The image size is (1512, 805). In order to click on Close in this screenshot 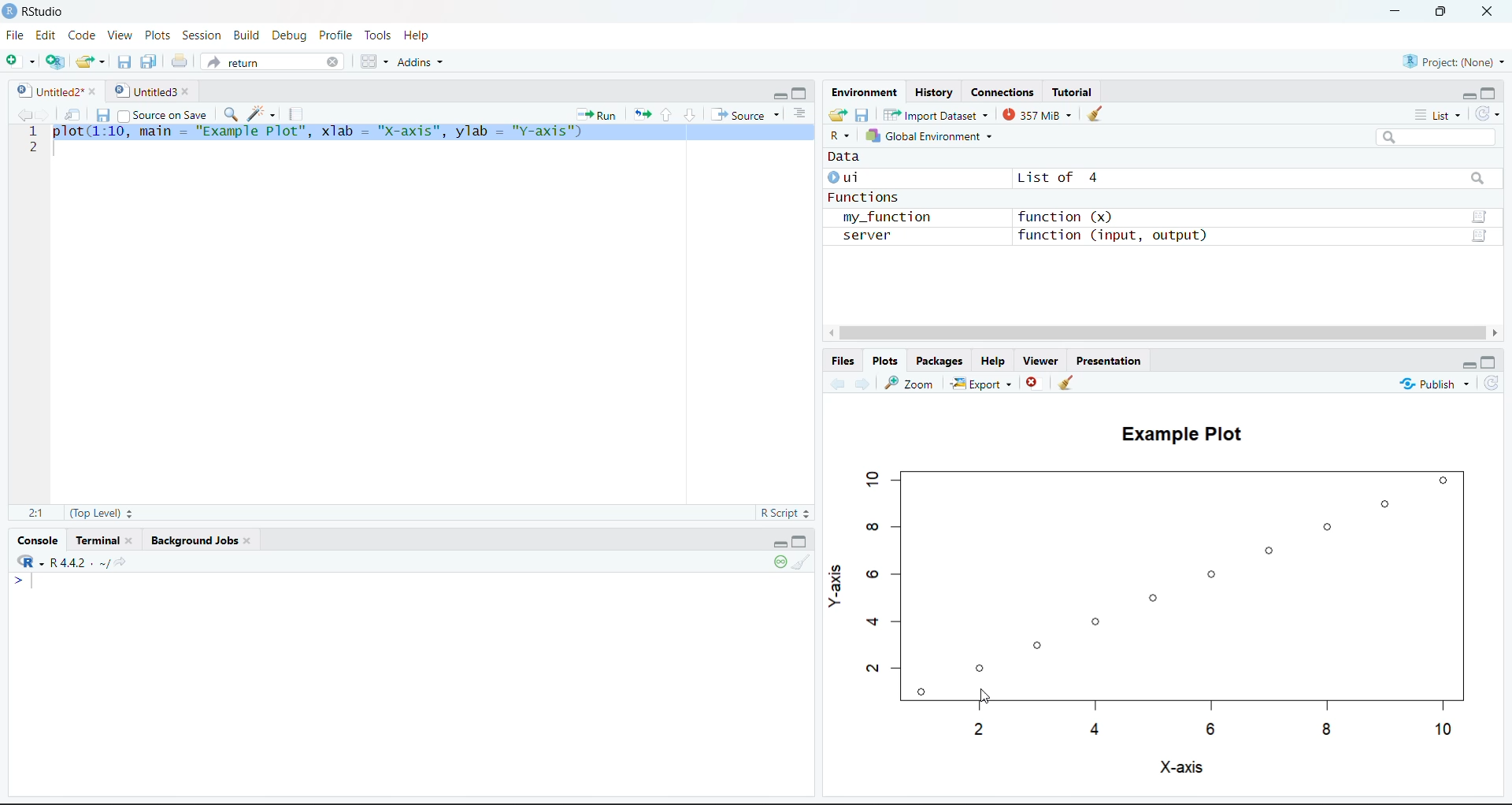, I will do `click(1033, 382)`.